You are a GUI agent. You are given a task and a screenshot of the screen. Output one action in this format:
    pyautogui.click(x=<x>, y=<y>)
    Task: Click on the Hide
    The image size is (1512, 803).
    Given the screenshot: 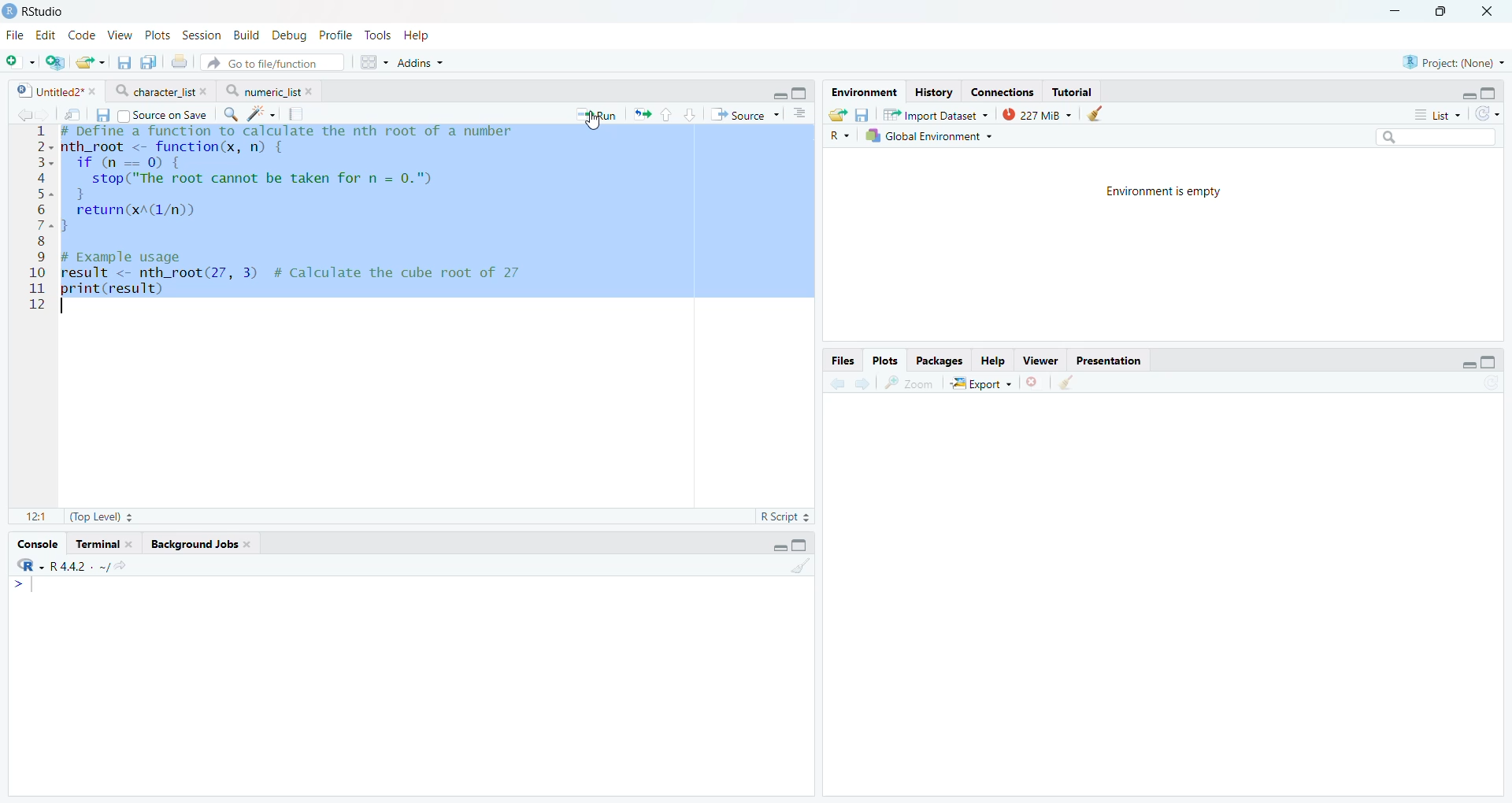 What is the action you would take?
    pyautogui.click(x=1469, y=362)
    